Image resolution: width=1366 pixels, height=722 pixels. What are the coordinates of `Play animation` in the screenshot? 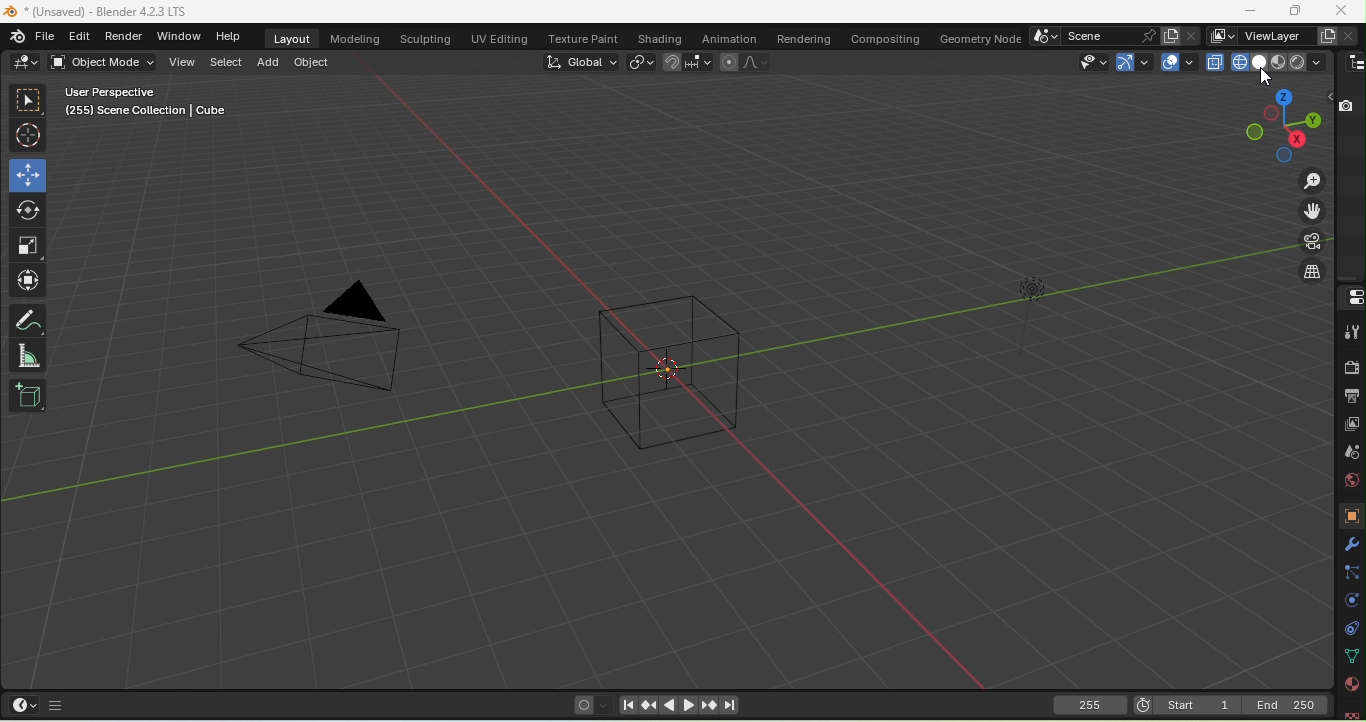 It's located at (669, 705).